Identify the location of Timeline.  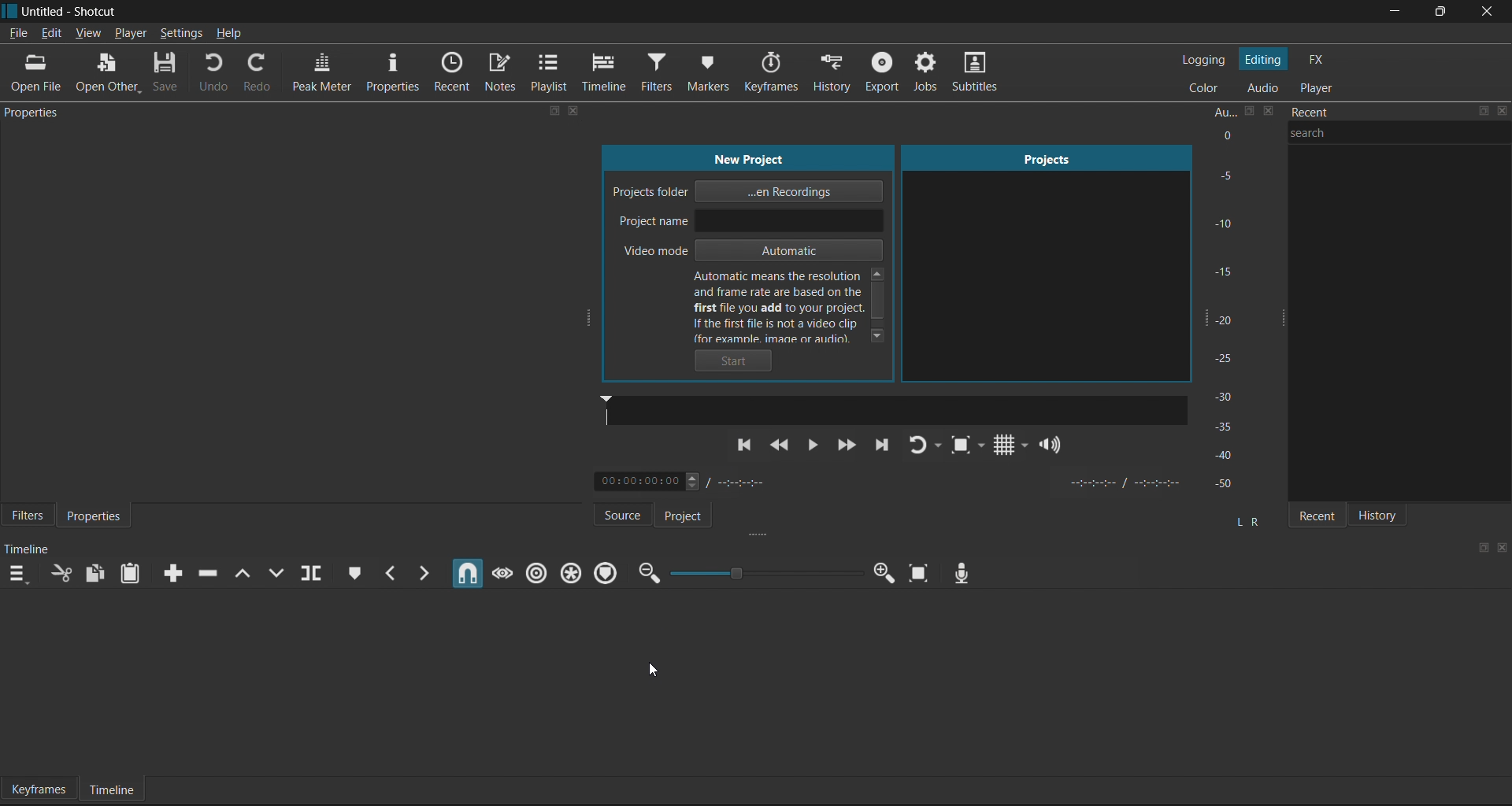
(112, 789).